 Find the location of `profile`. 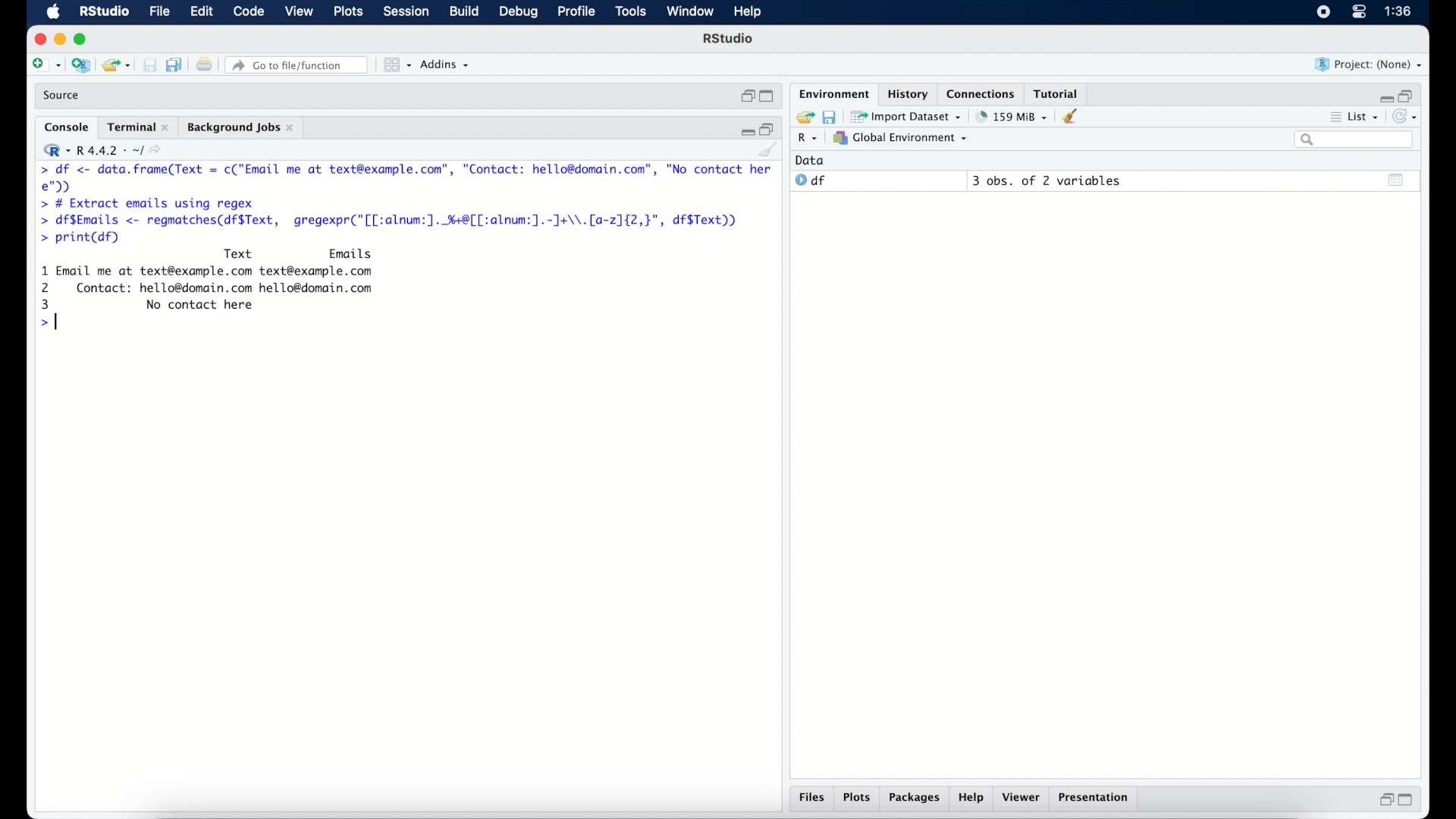

profile is located at coordinates (576, 12).